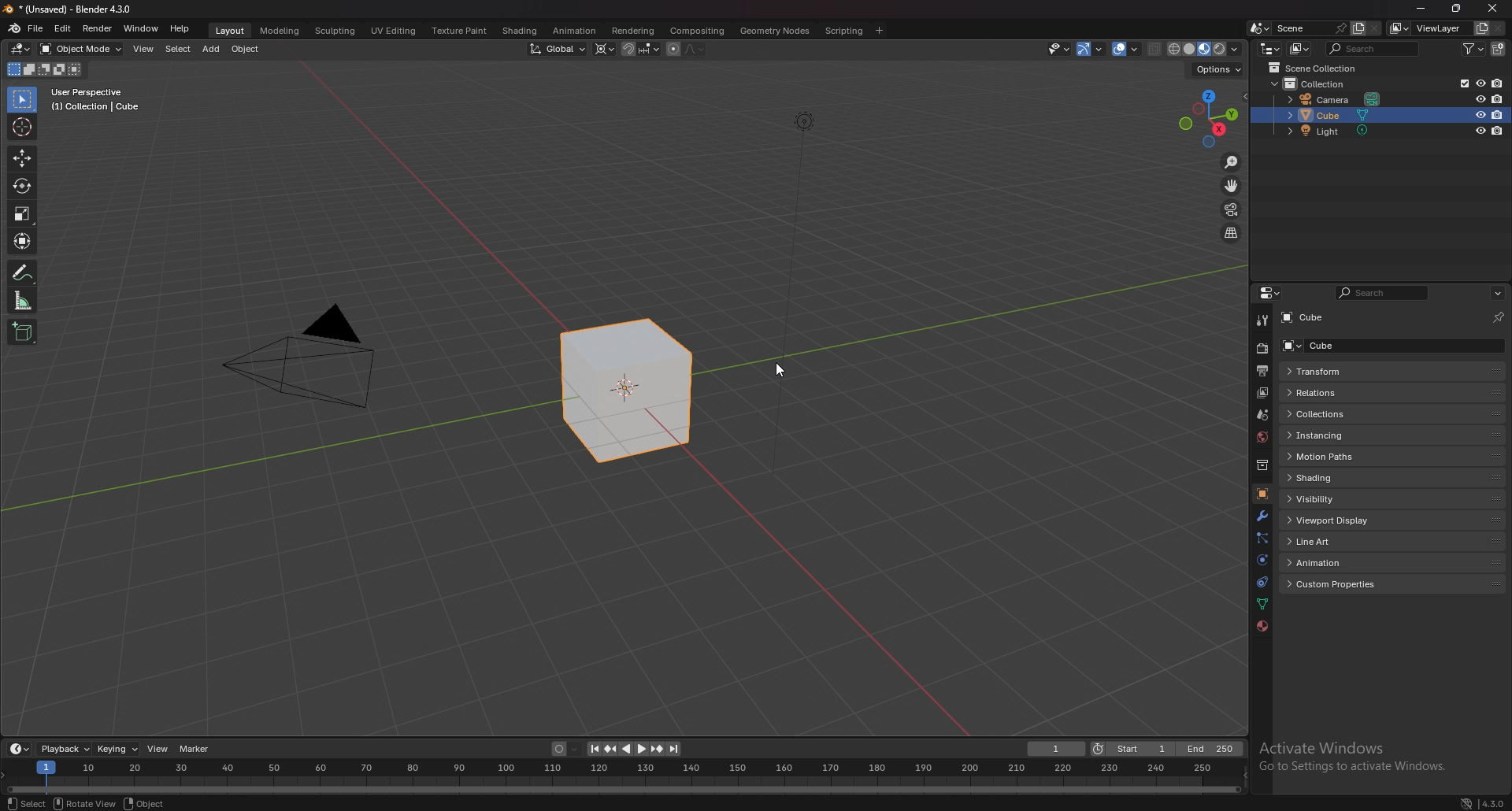 The height and width of the screenshot is (811, 1512). I want to click on material, so click(1260, 627).